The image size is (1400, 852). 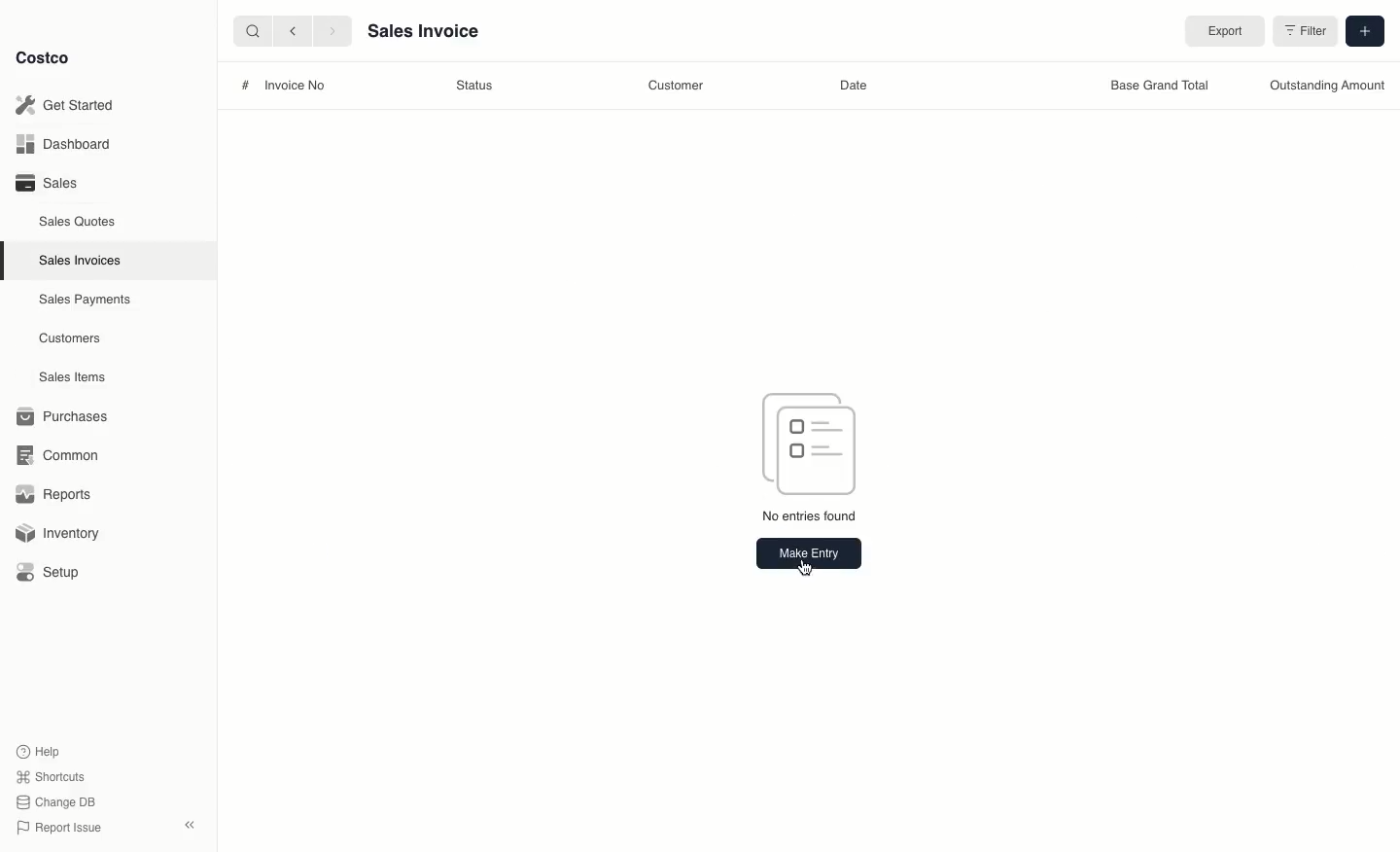 I want to click on #, so click(x=238, y=85).